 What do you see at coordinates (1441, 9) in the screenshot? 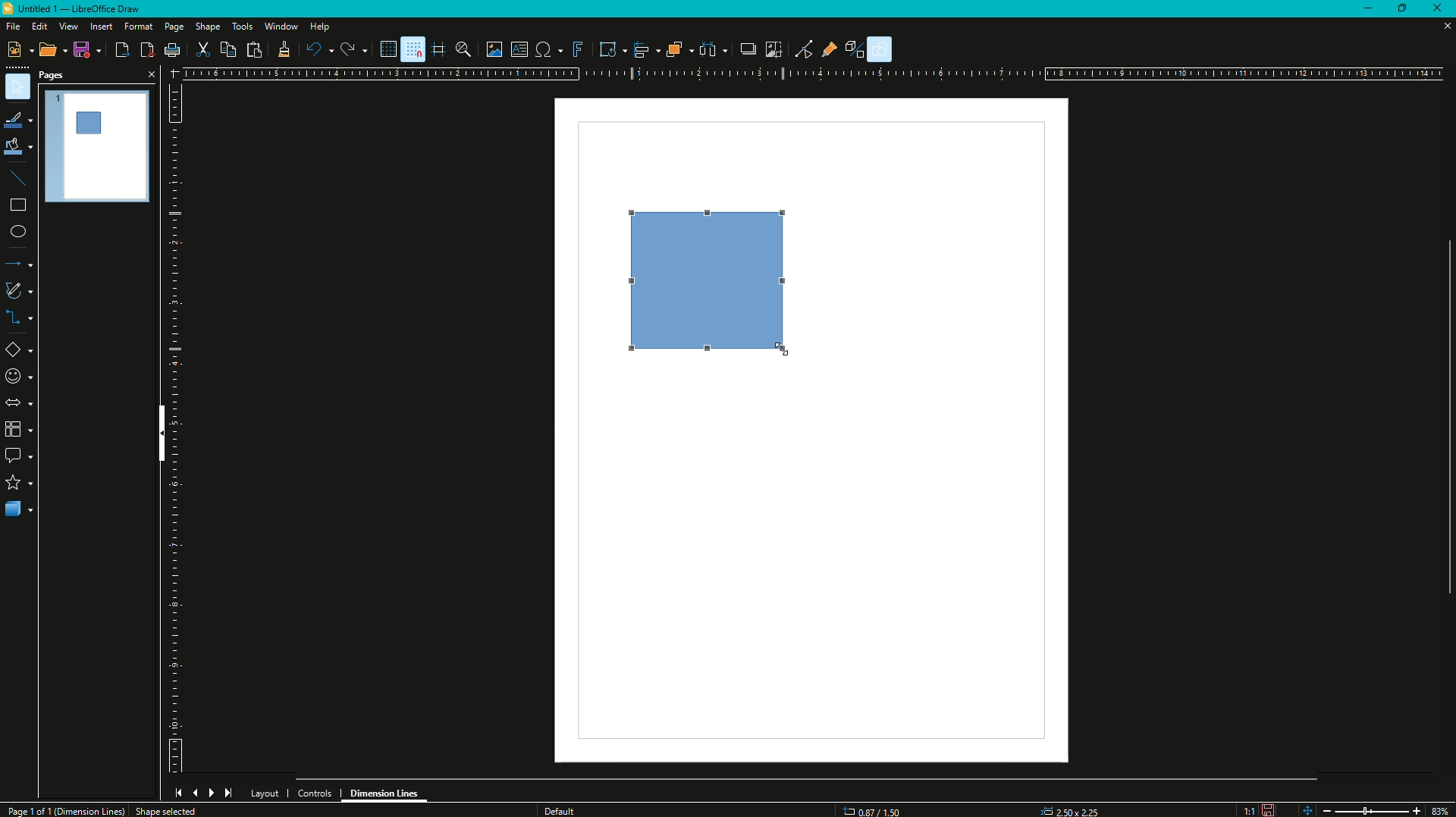
I see `Close` at bounding box center [1441, 9].